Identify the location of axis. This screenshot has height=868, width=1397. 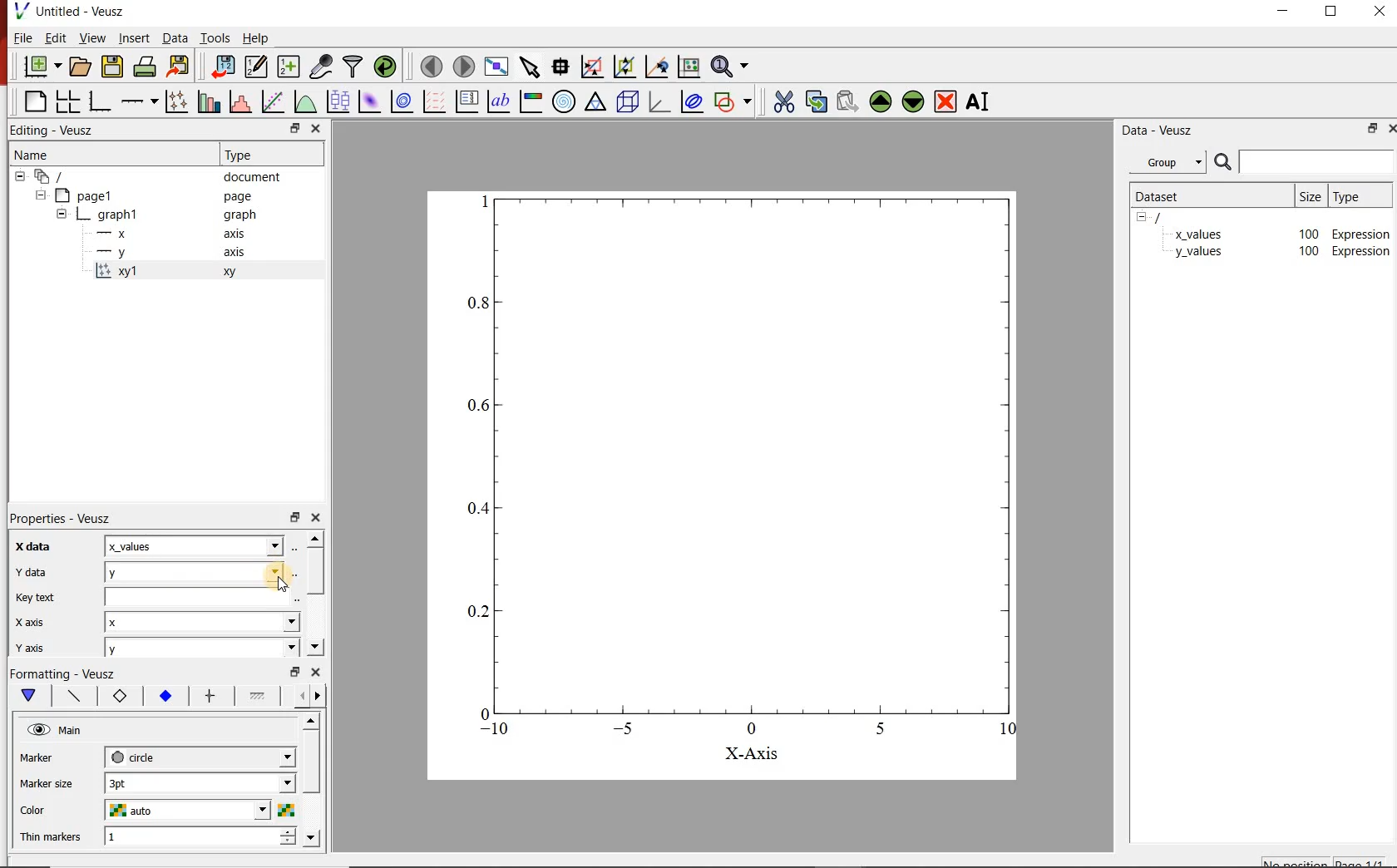
(236, 234).